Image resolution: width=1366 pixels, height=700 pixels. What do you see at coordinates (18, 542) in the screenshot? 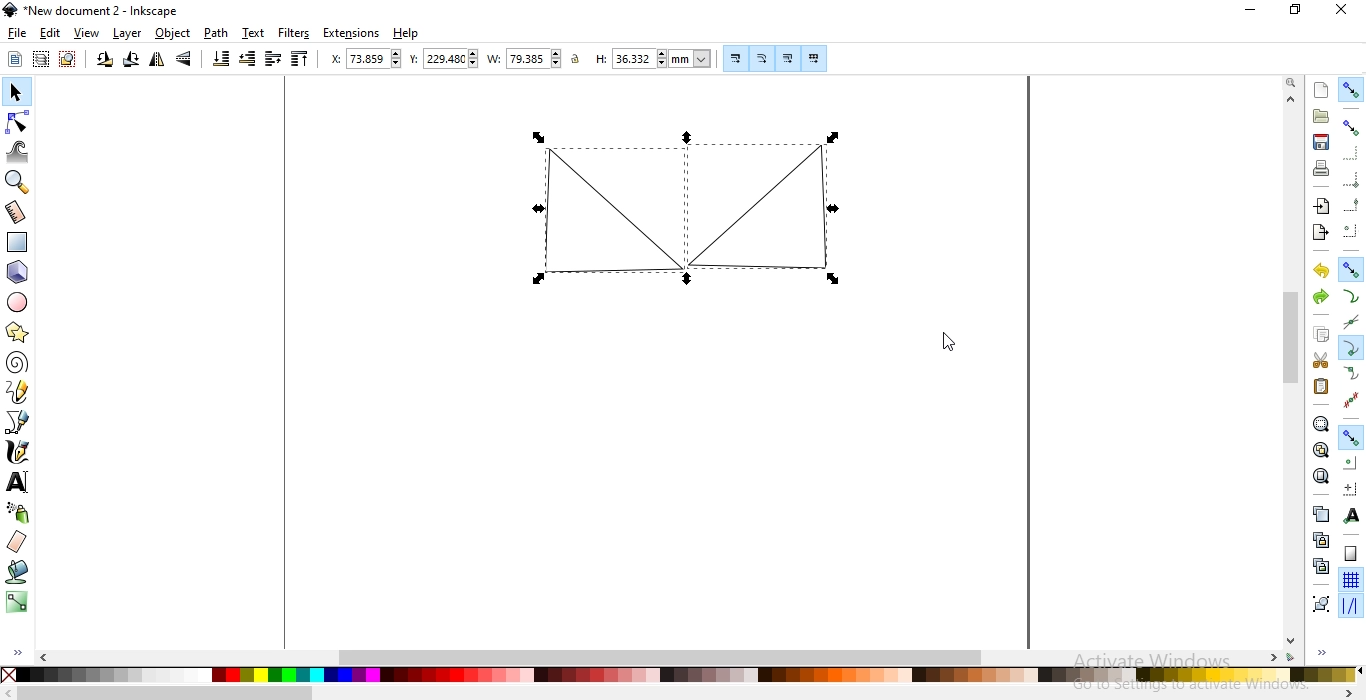
I see `erase existing paths` at bounding box center [18, 542].